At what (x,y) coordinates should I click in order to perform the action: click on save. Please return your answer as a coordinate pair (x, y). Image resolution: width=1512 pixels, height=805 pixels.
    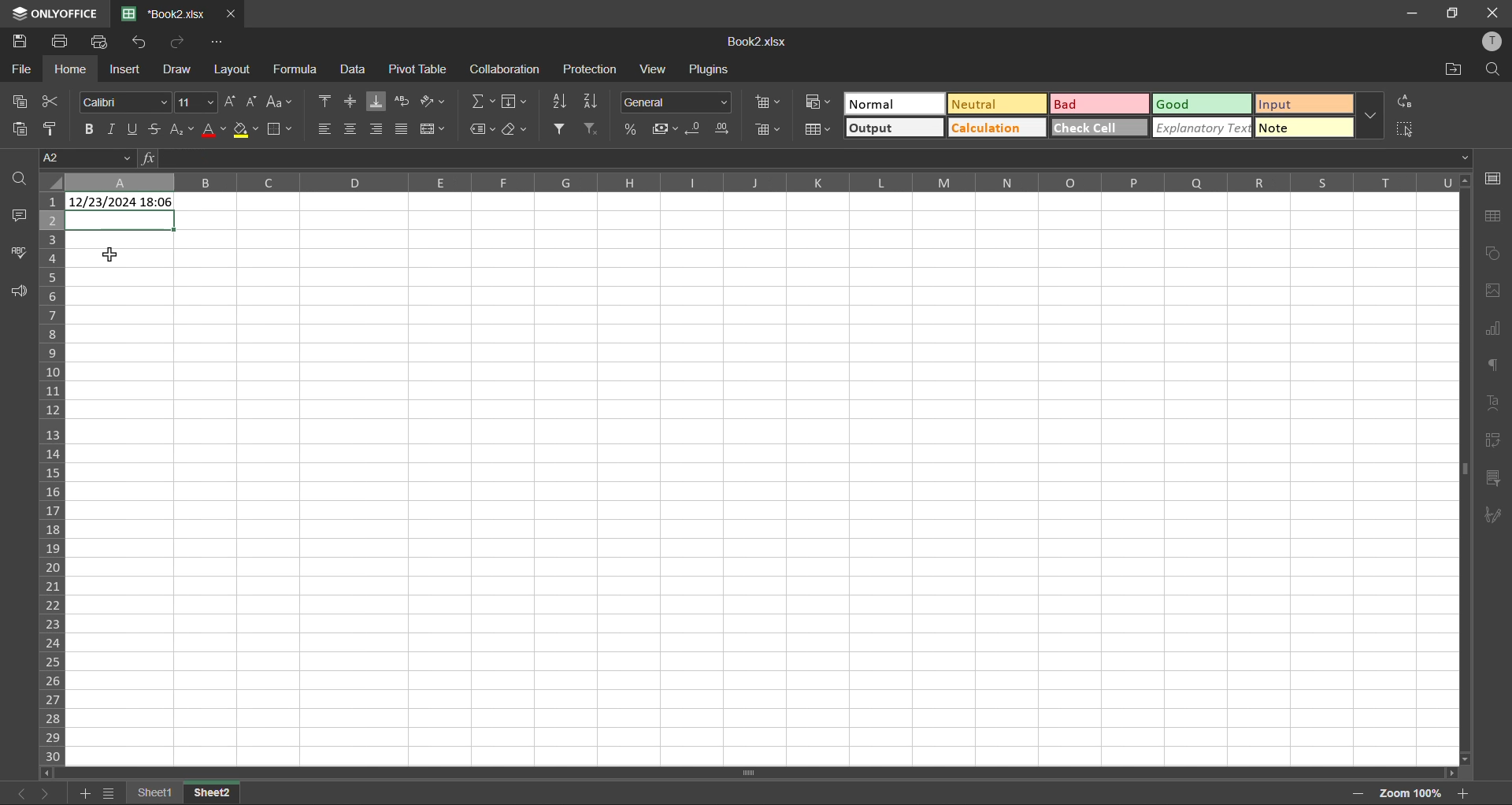
    Looking at the image, I should click on (23, 42).